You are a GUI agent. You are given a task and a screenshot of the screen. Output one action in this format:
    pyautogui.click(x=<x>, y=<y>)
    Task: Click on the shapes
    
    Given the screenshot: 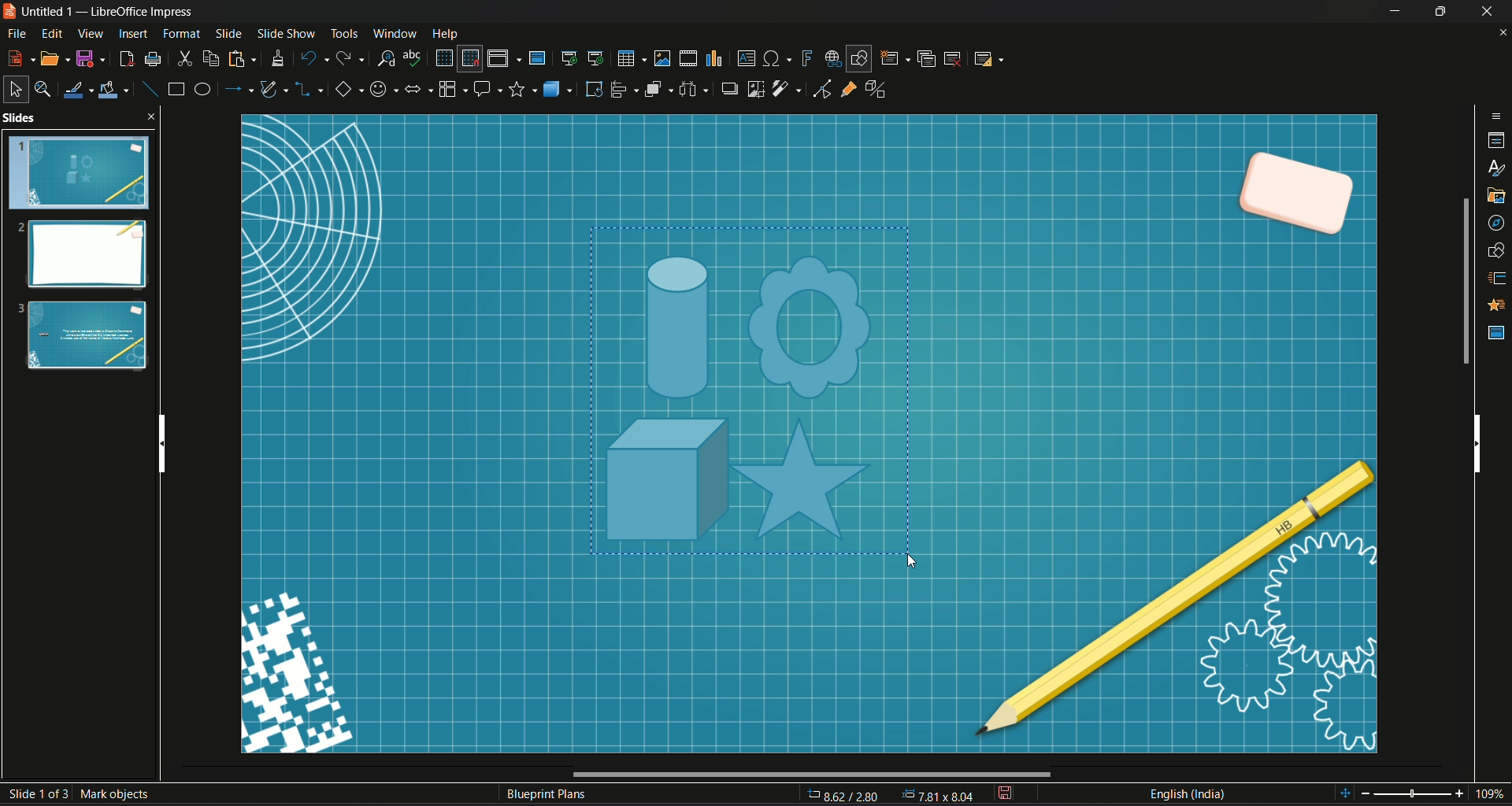 What is the action you would take?
    pyautogui.click(x=1497, y=251)
    